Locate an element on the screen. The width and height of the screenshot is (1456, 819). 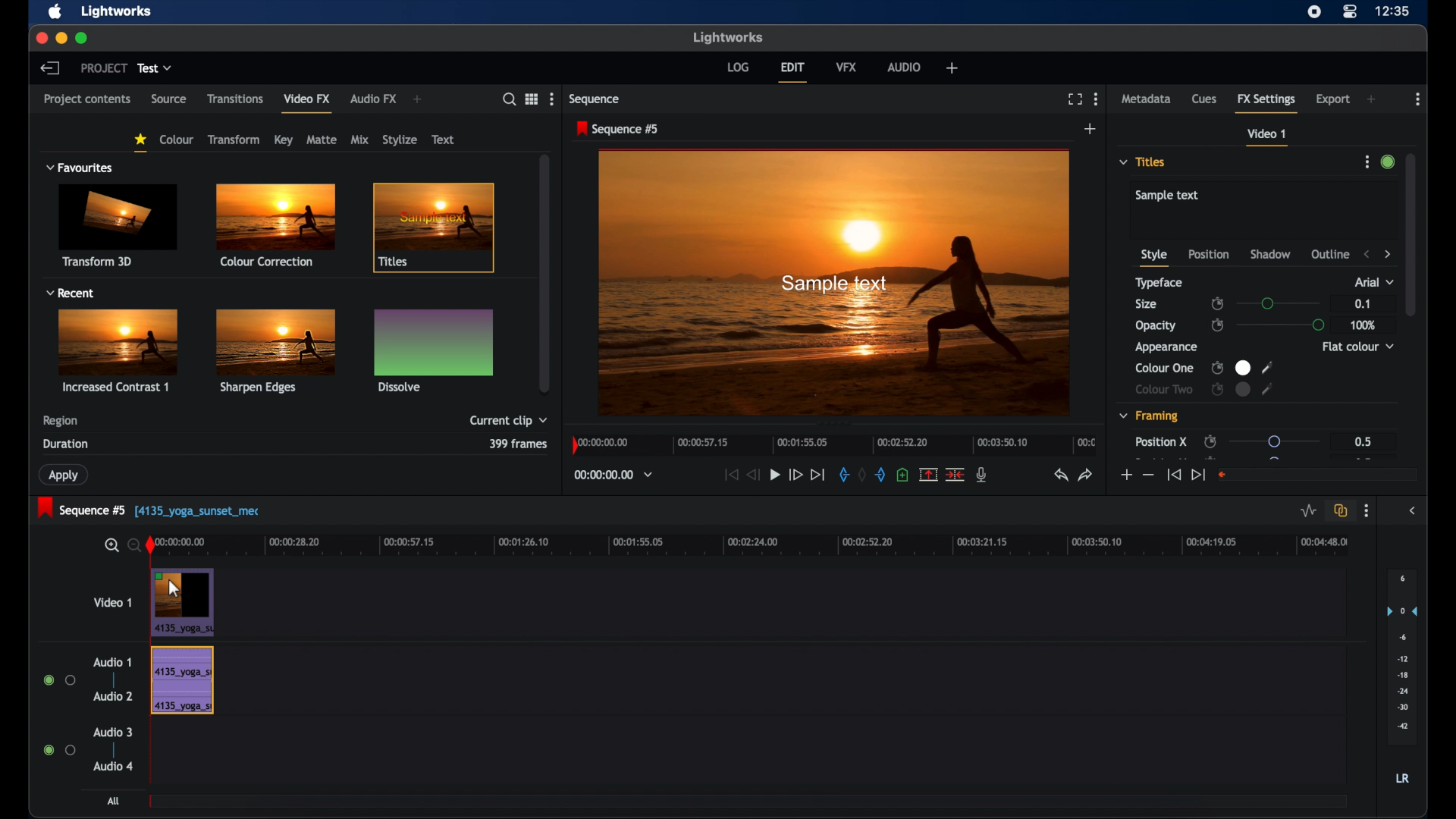
3 segments is located at coordinates (518, 444).